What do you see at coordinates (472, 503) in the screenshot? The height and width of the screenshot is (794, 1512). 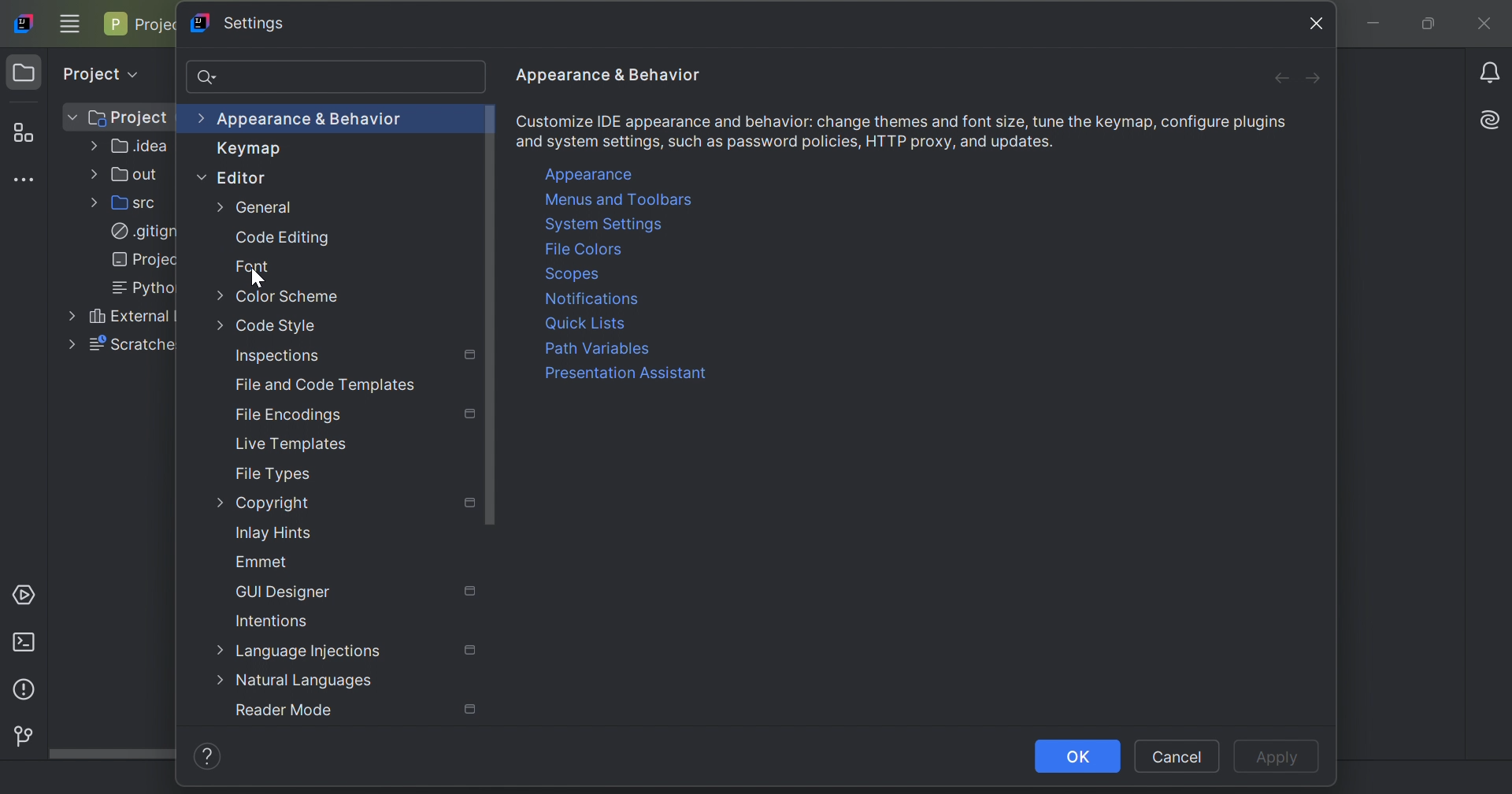 I see `Settings marked with this icon are only applied to the current project. Non-marked settings are applied to all projects.` at bounding box center [472, 503].